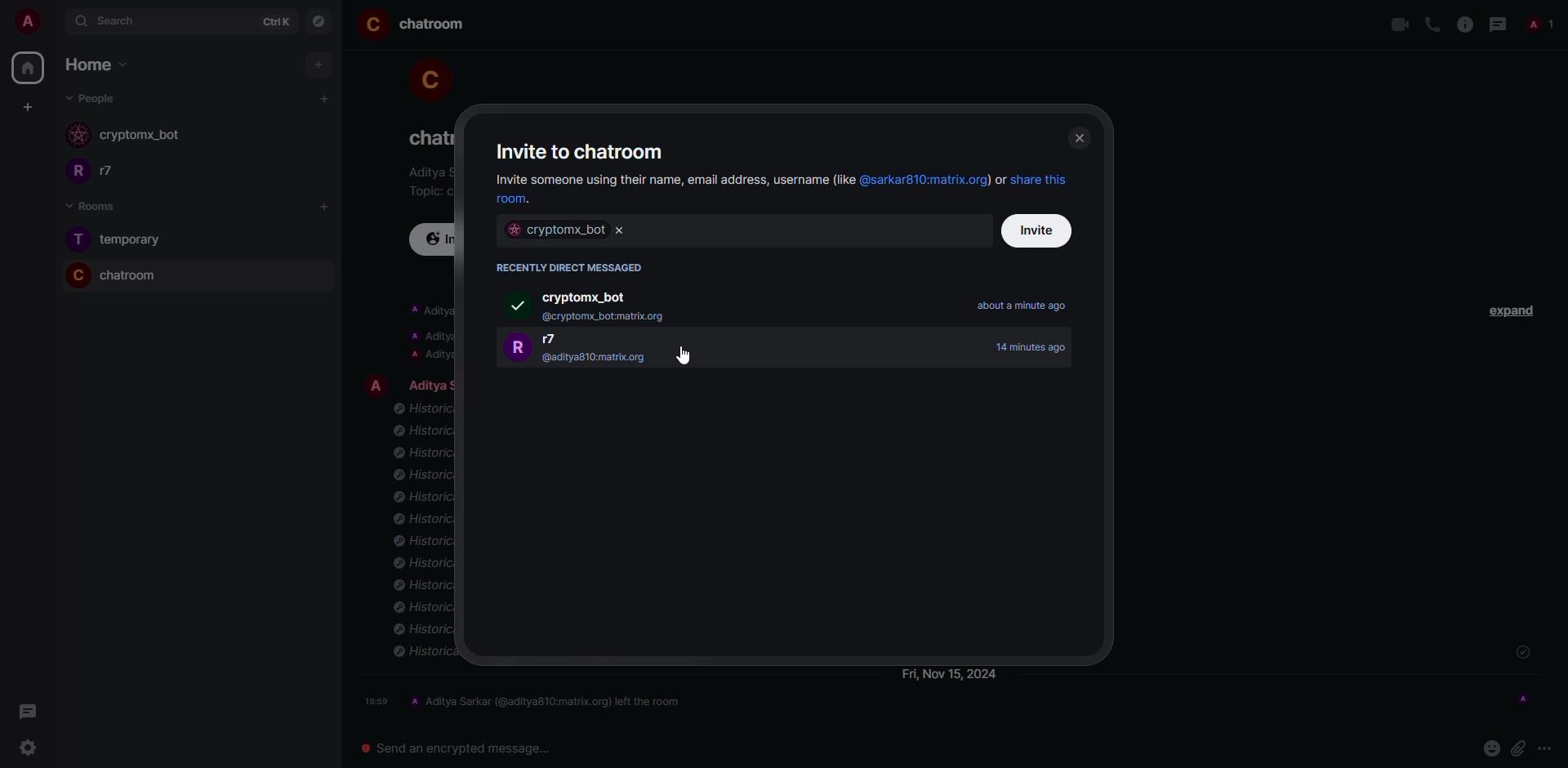 This screenshot has height=768, width=1568. I want to click on profile, so click(372, 25).